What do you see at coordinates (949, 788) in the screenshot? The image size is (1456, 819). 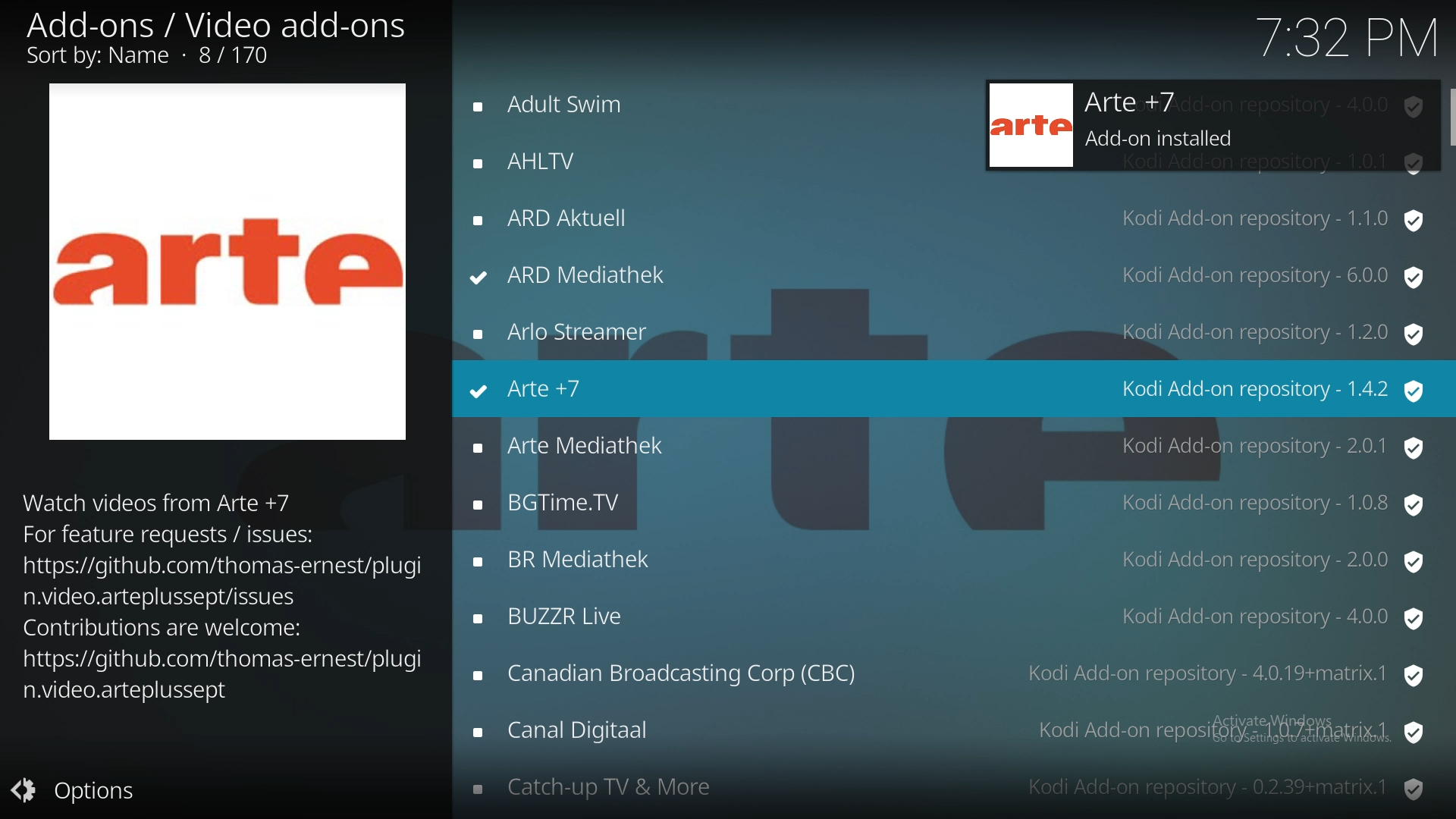 I see `add on` at bounding box center [949, 788].